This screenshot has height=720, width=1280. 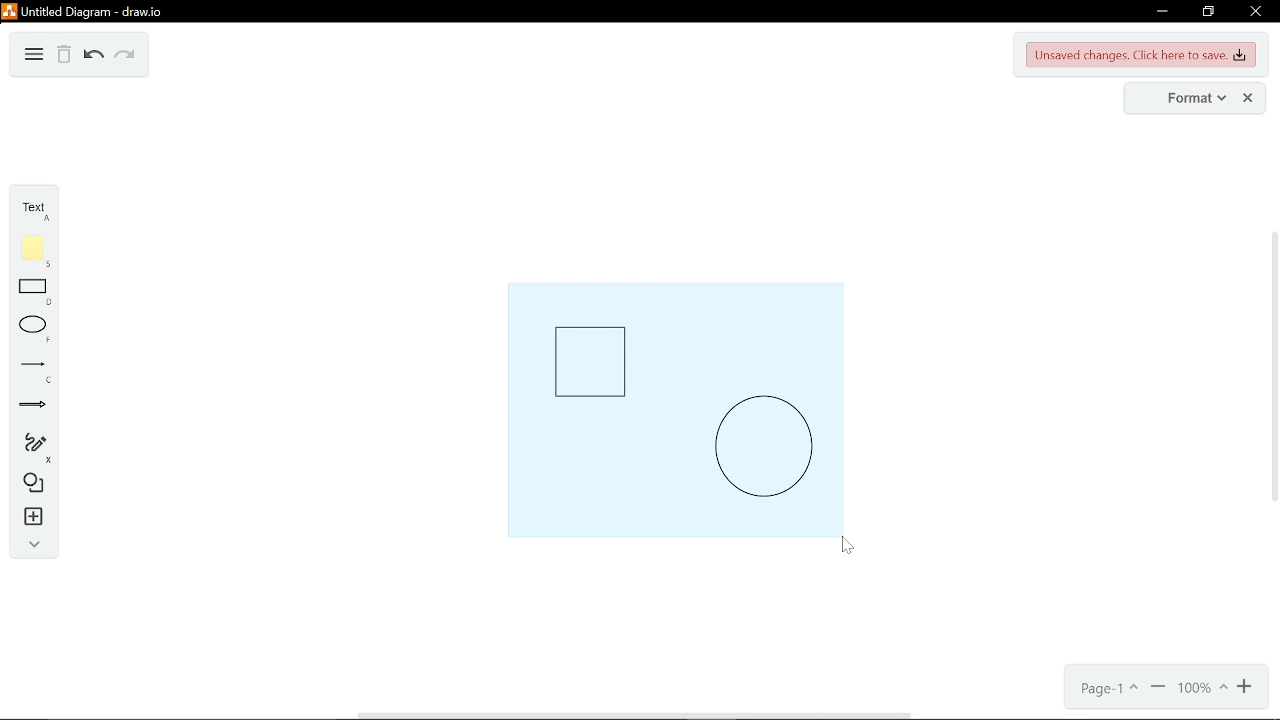 What do you see at coordinates (123, 58) in the screenshot?
I see `redo` at bounding box center [123, 58].